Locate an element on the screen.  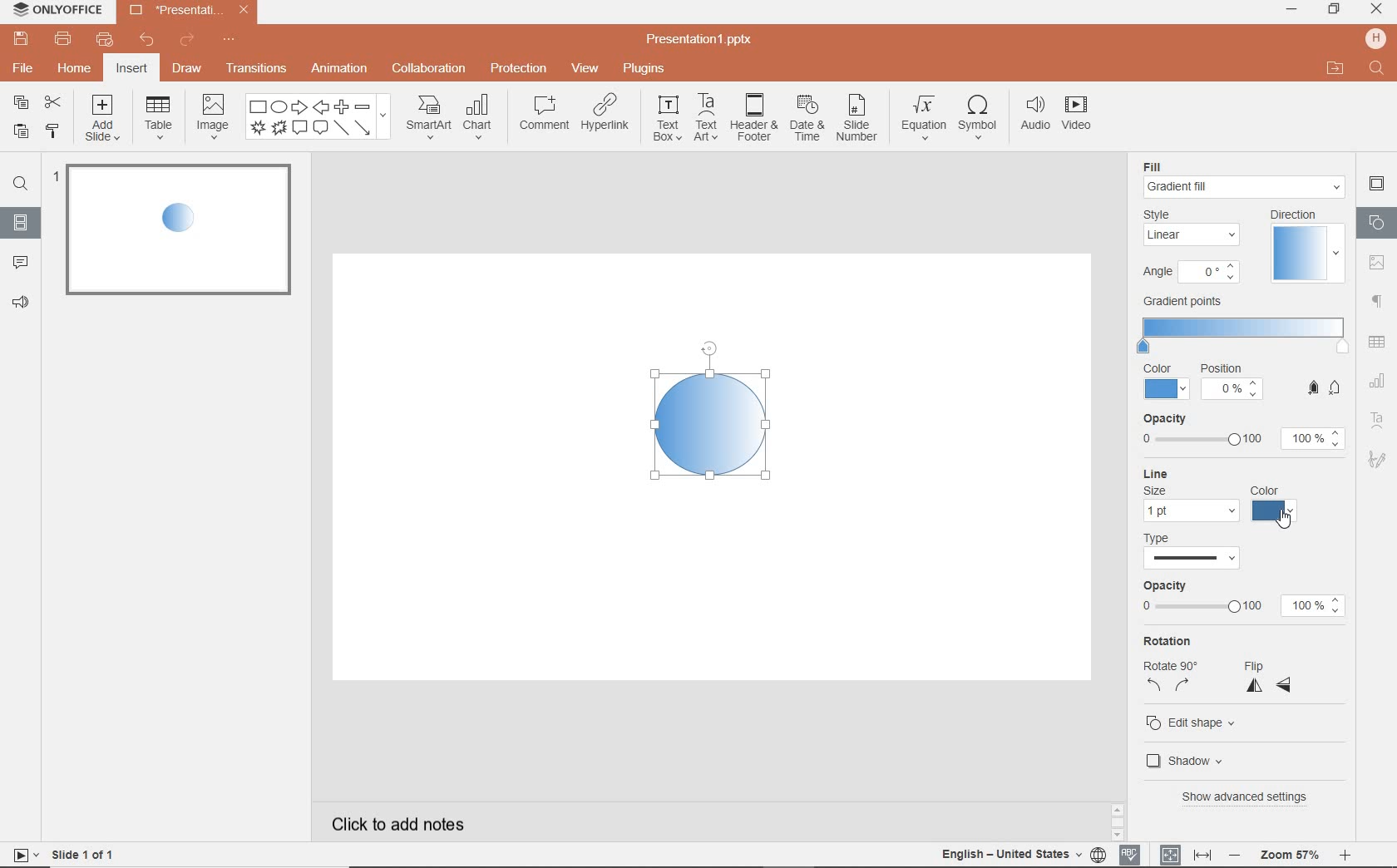
Rotation is located at coordinates (1173, 641).